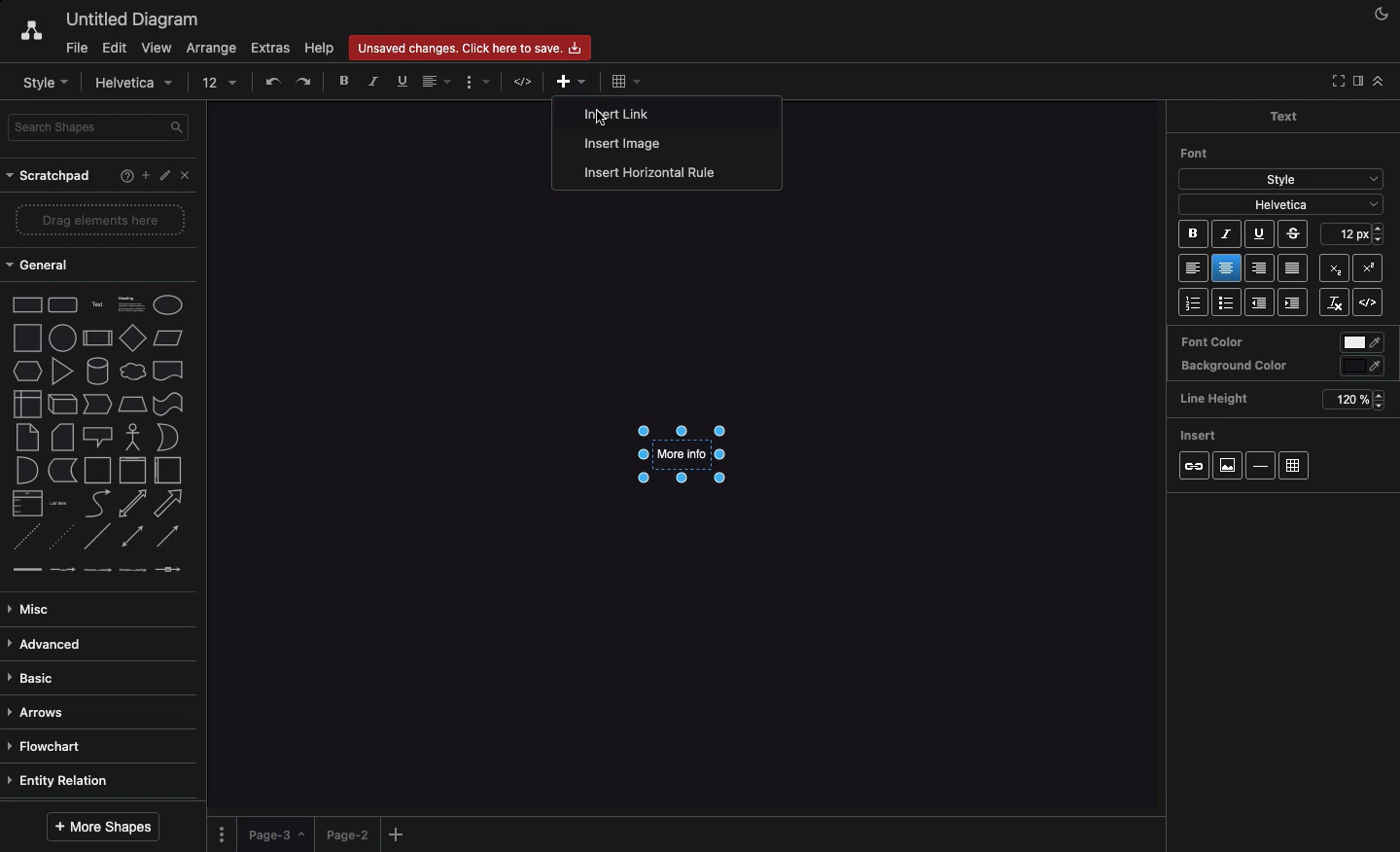 The width and height of the screenshot is (1400, 852). I want to click on Insert horizontal rule, so click(647, 173).